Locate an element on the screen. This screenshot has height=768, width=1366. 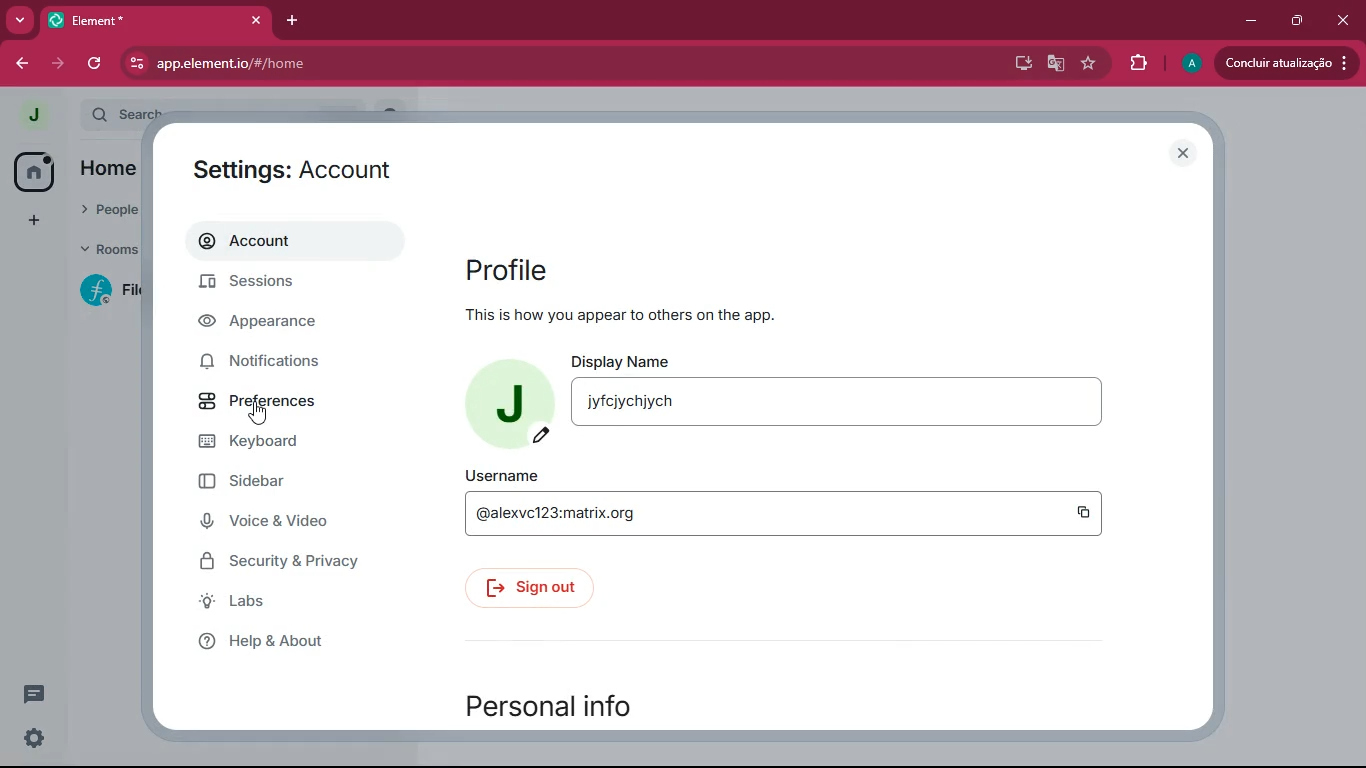
This is how you appear to others on the app. is located at coordinates (635, 314).